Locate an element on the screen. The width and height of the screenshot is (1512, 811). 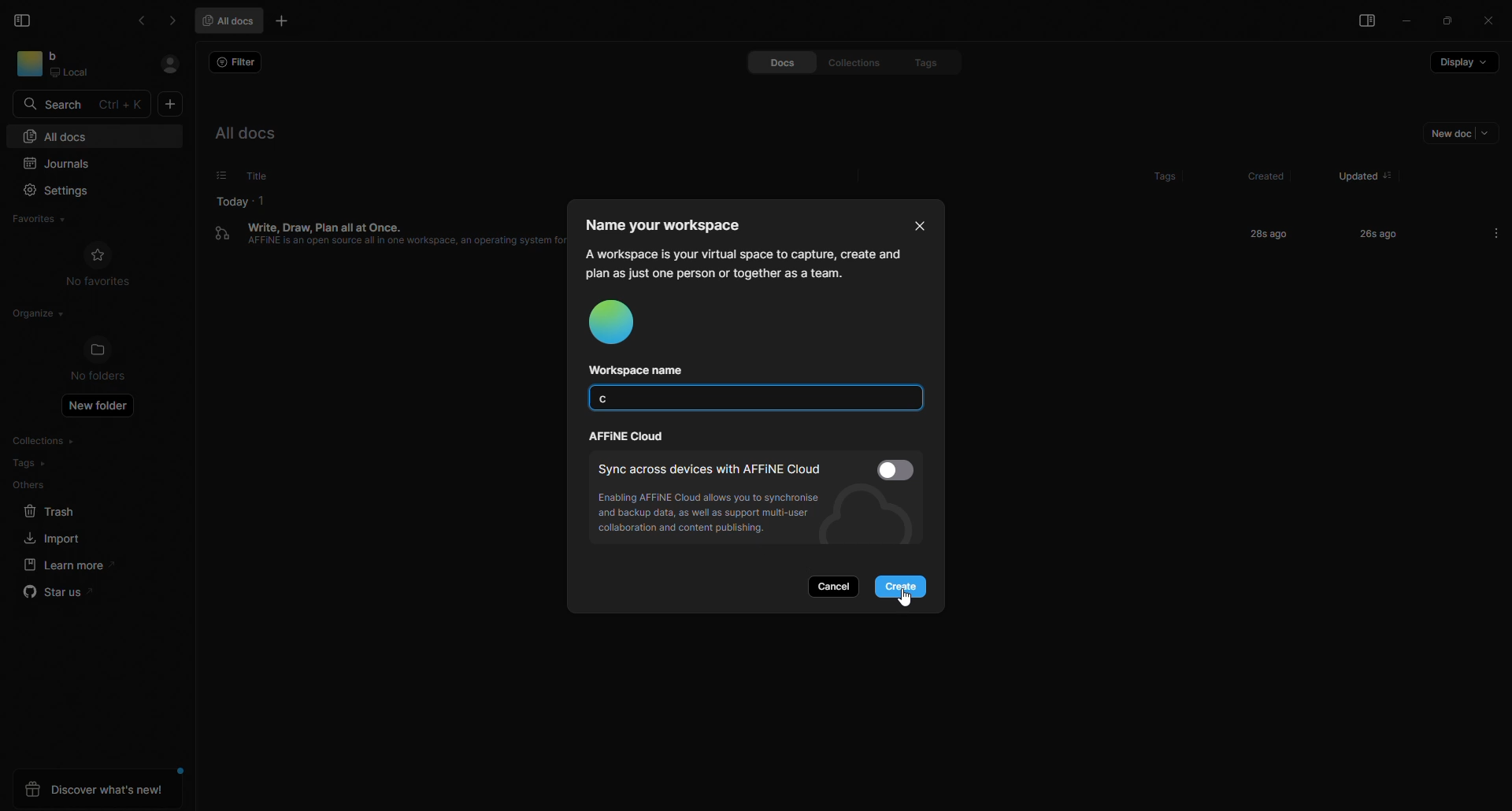
created is located at coordinates (1262, 176).